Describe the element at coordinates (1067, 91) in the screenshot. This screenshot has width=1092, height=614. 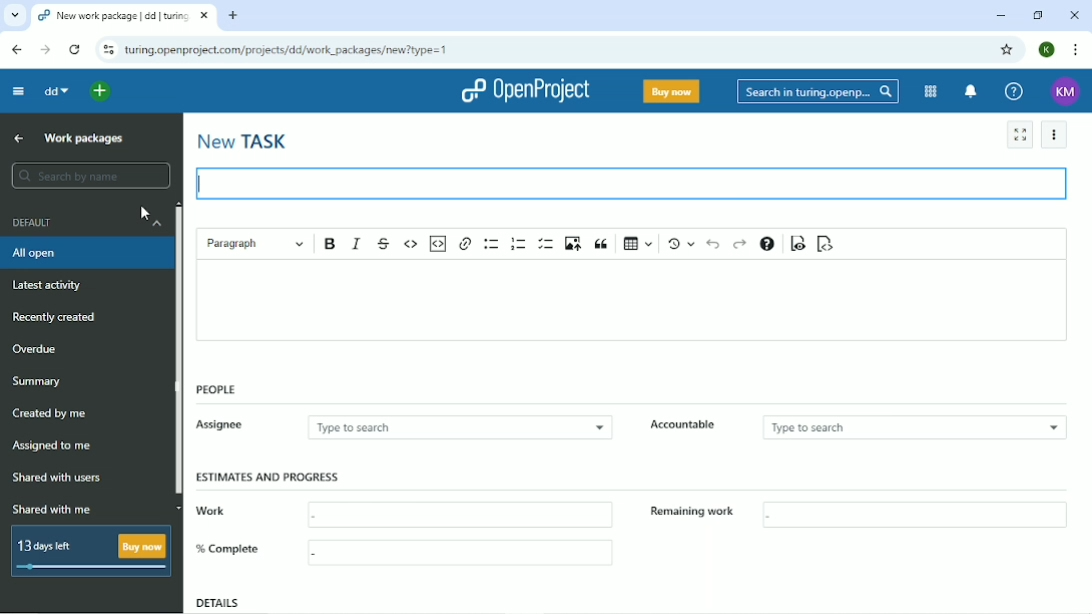
I see `KM` at that location.